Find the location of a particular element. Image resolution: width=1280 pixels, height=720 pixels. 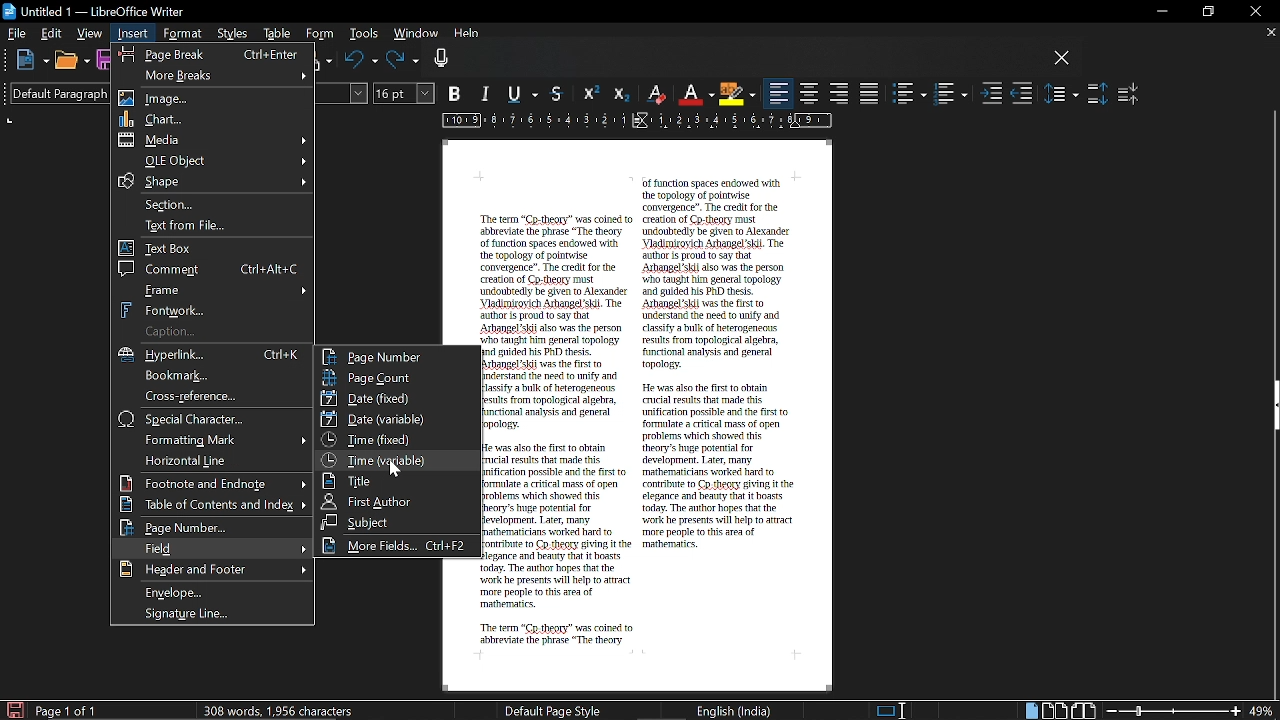

cursor is located at coordinates (395, 470).